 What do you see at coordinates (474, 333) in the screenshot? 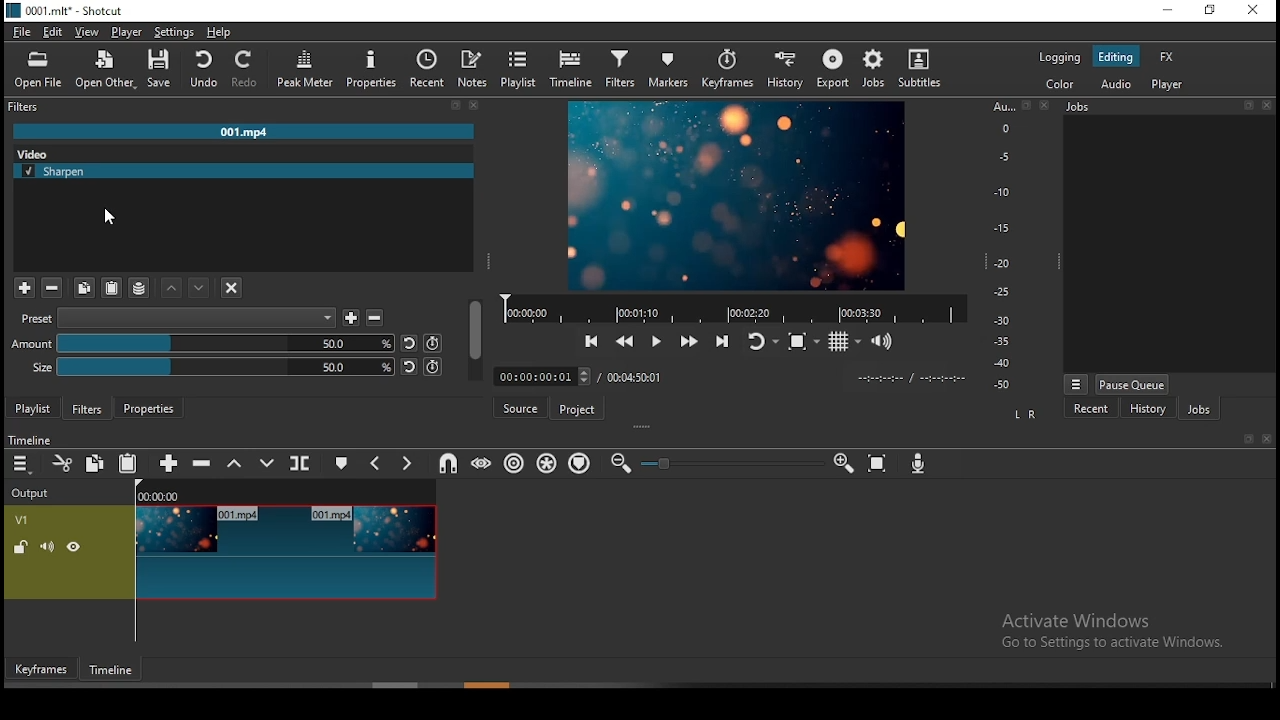
I see `scroll bar (vertical)` at bounding box center [474, 333].